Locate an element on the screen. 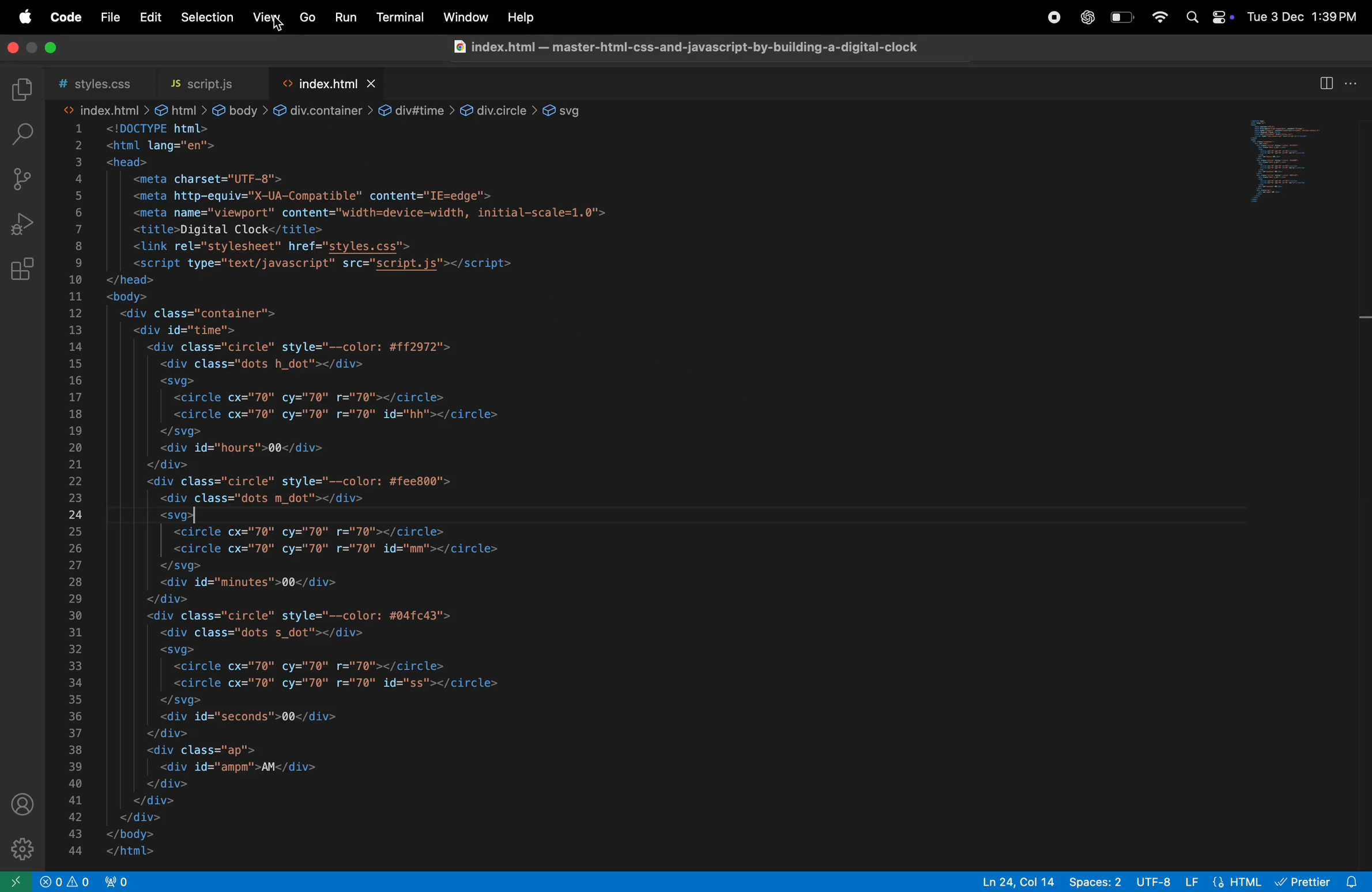 This screenshot has width=1372, height=892. preview window is located at coordinates (1296, 167).